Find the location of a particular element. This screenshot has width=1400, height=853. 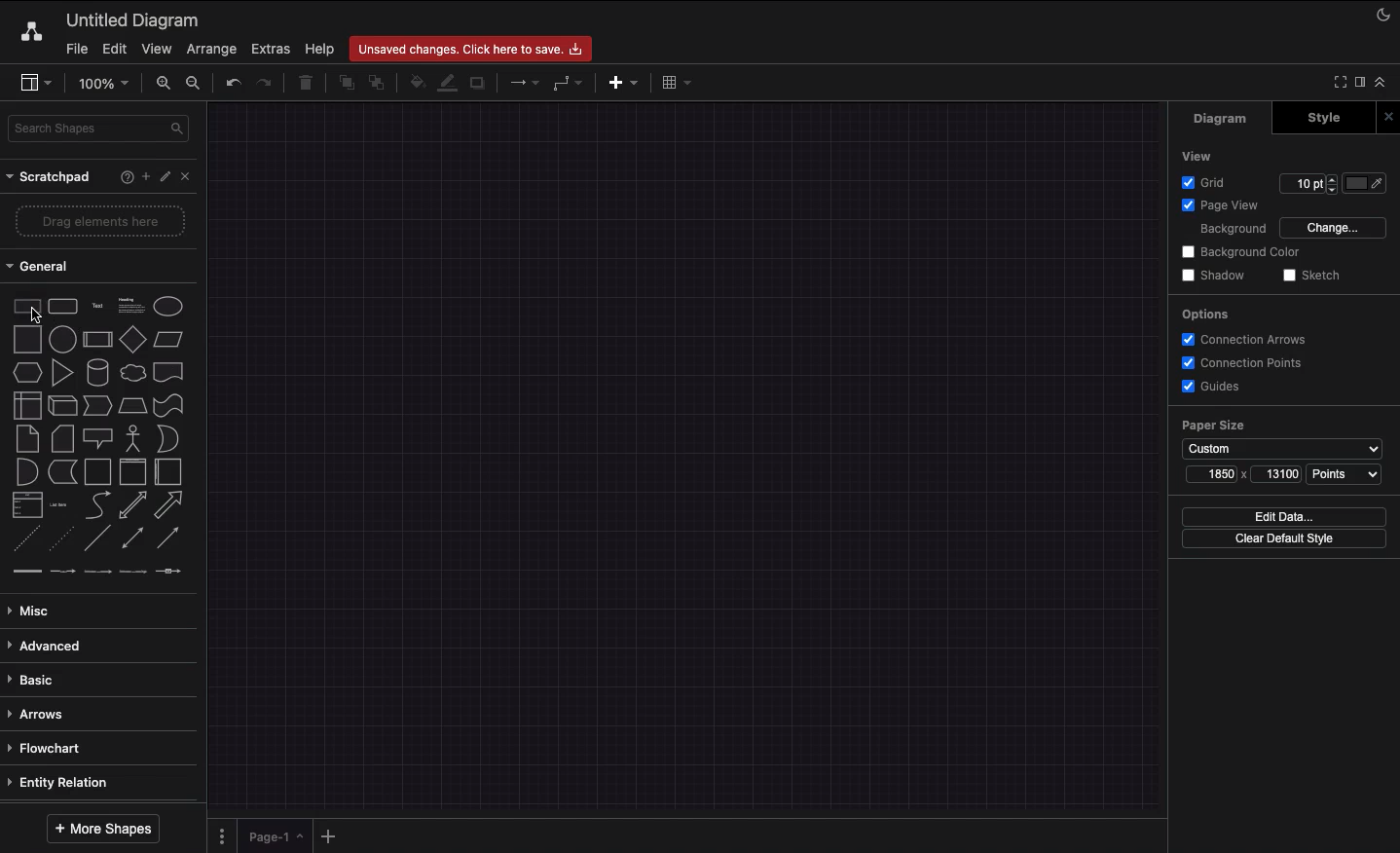

Zoom is located at coordinates (105, 86).